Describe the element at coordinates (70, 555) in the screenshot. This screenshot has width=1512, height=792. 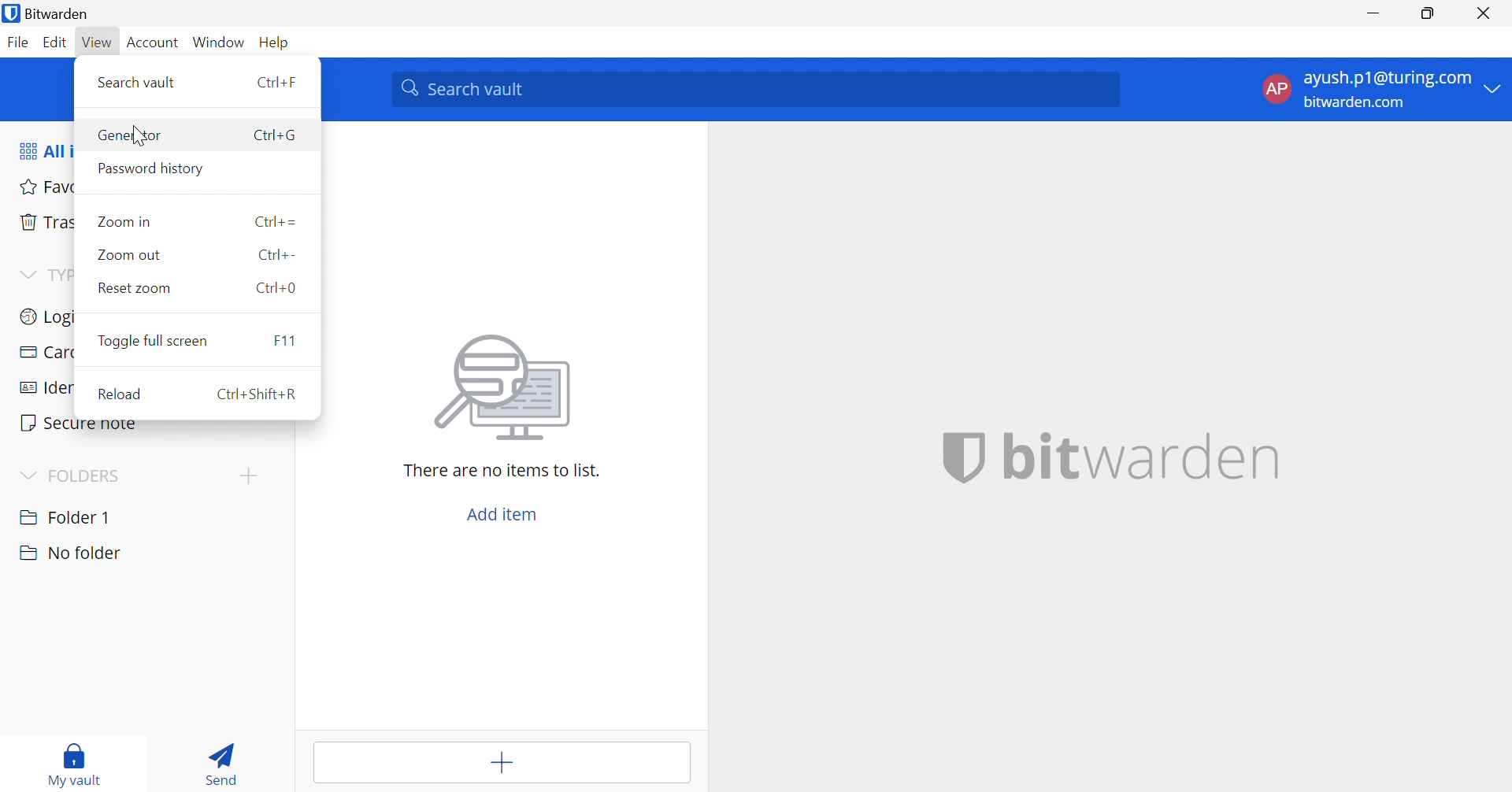
I see `No folder` at that location.